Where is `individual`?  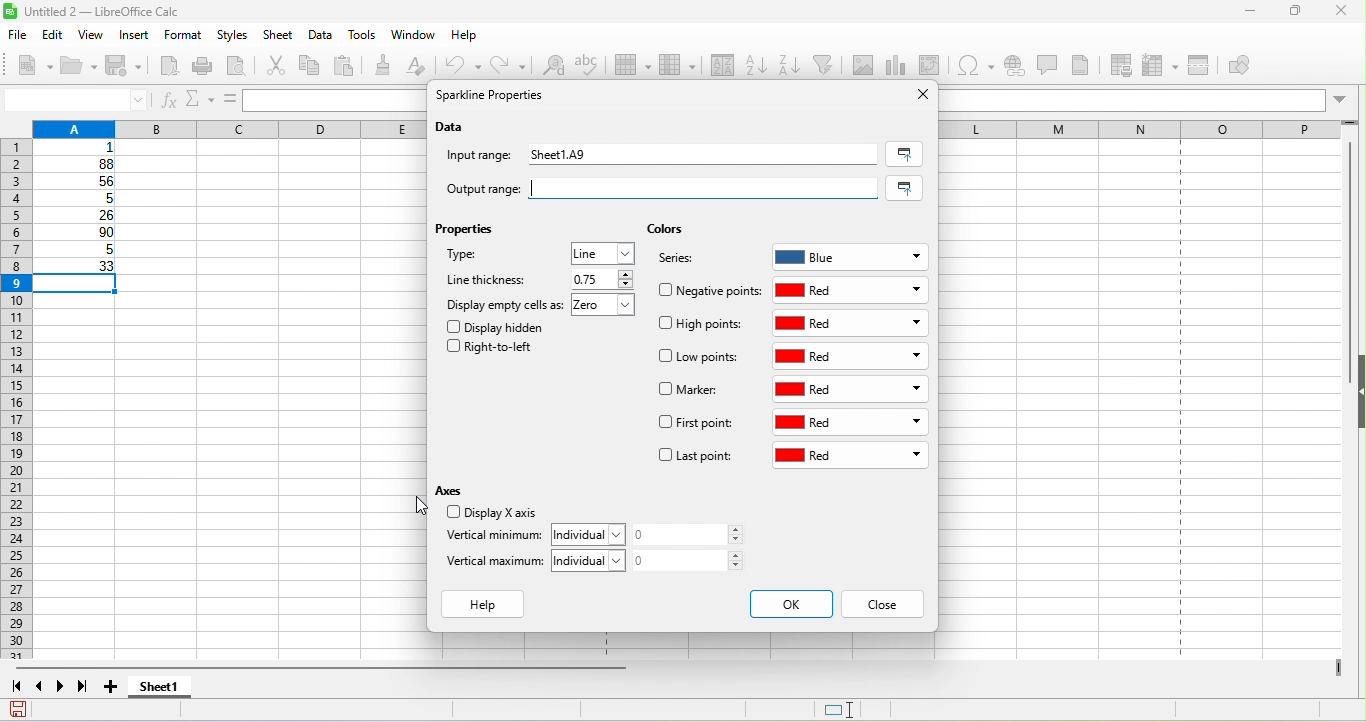
individual is located at coordinates (594, 560).